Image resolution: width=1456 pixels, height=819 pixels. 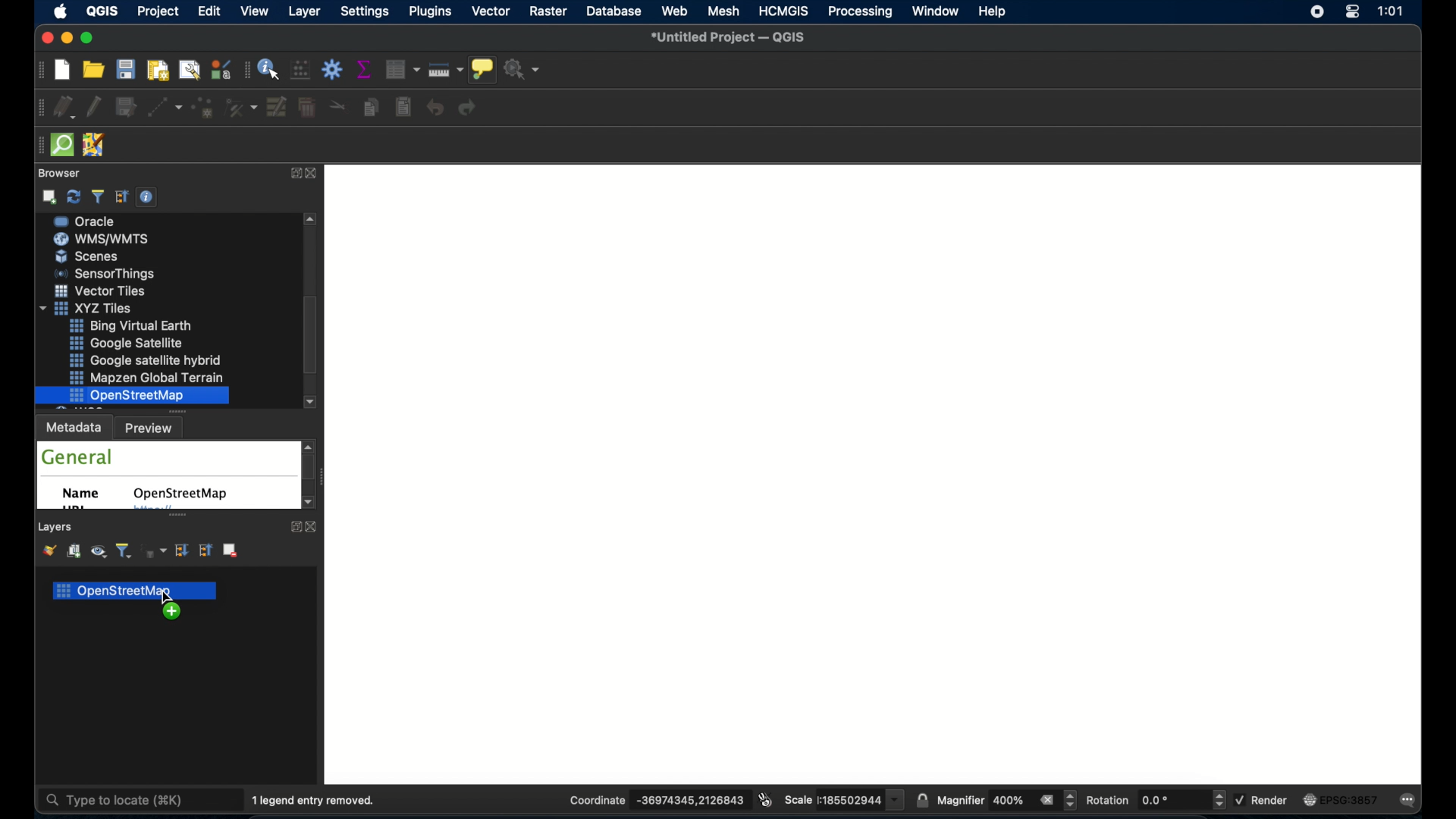 What do you see at coordinates (102, 291) in the screenshot?
I see `wms/wmts` at bounding box center [102, 291].